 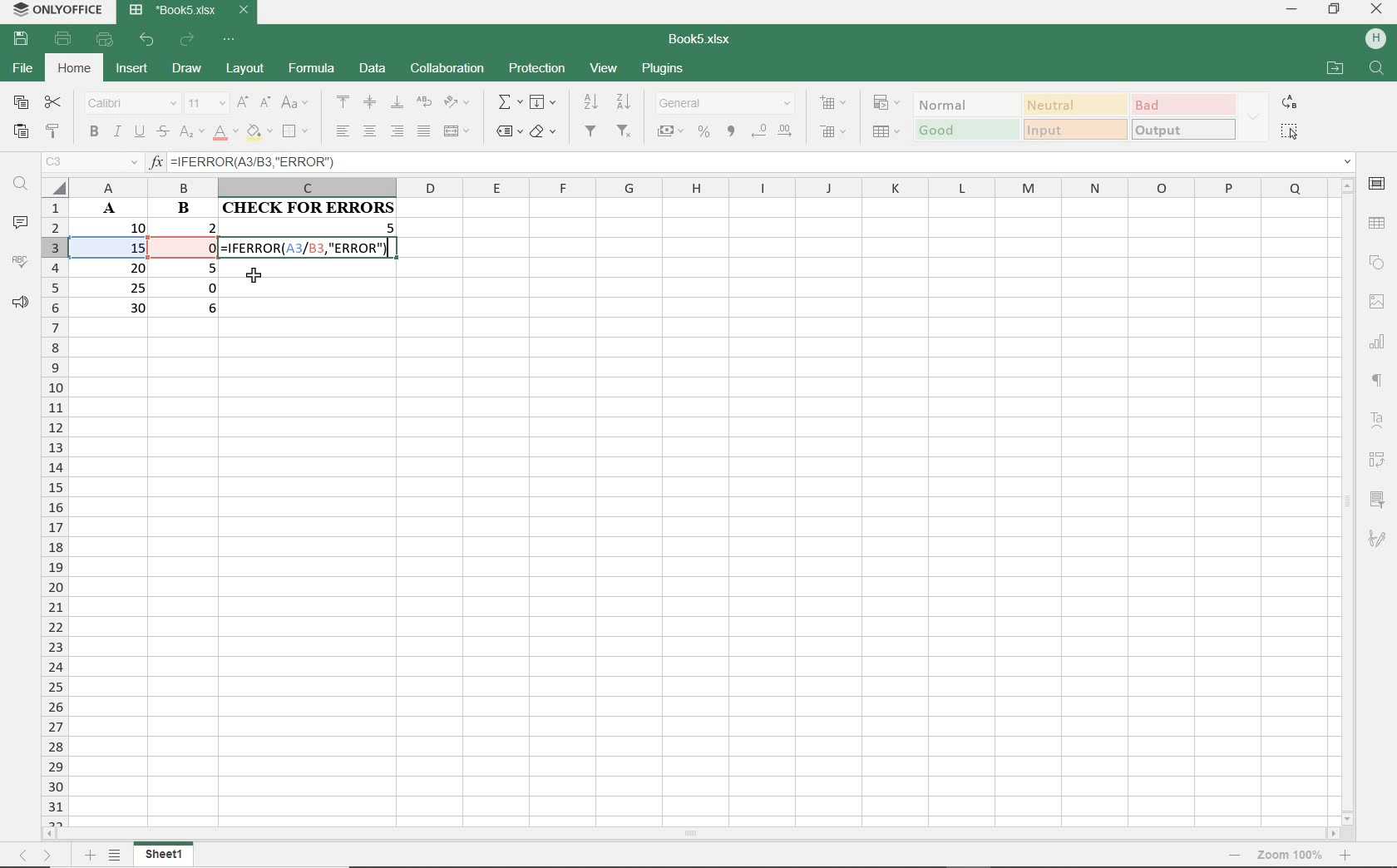 I want to click on , so click(x=1380, y=381).